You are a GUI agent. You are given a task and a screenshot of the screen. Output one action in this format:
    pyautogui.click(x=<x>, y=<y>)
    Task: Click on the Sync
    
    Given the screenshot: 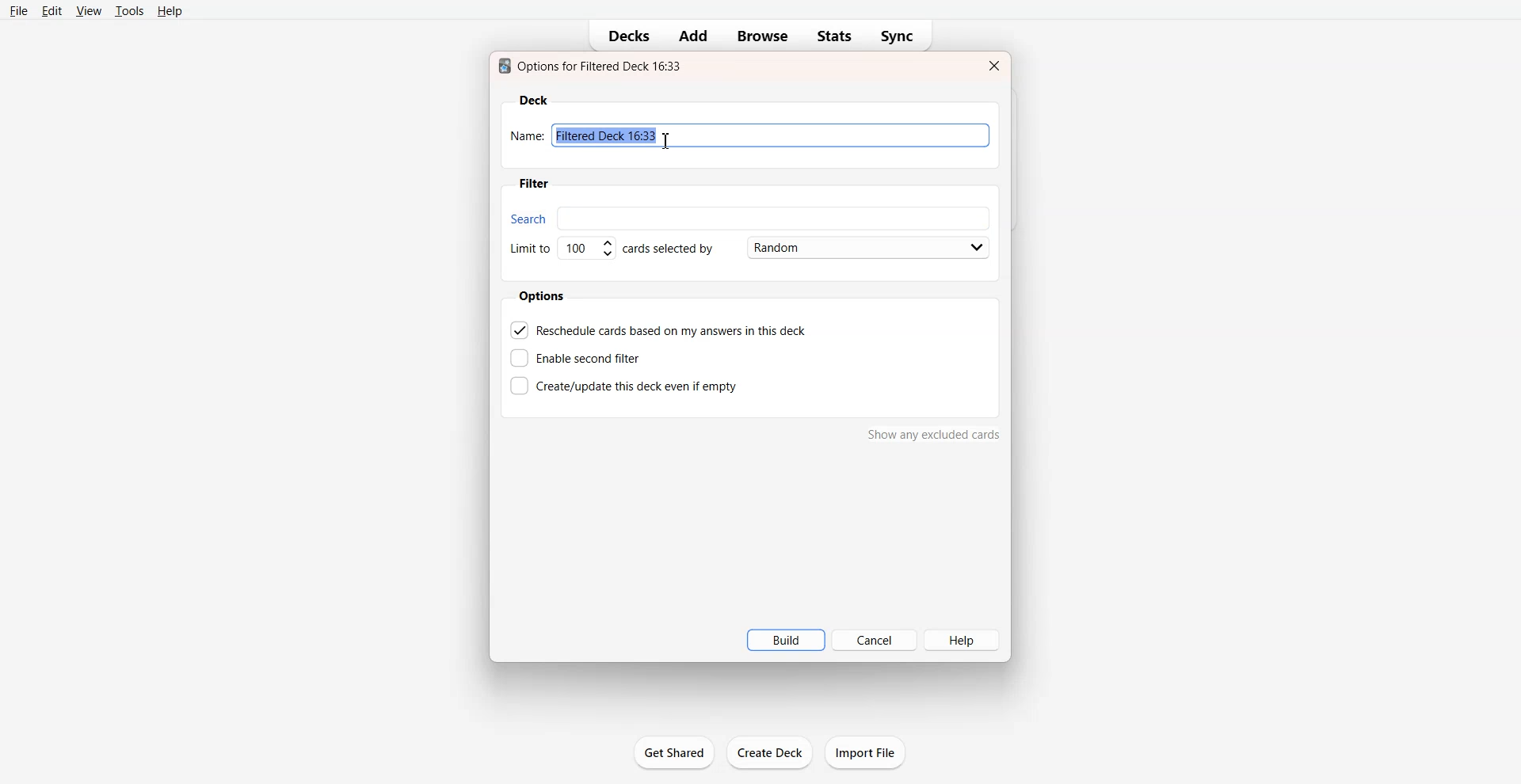 What is the action you would take?
    pyautogui.click(x=902, y=36)
    